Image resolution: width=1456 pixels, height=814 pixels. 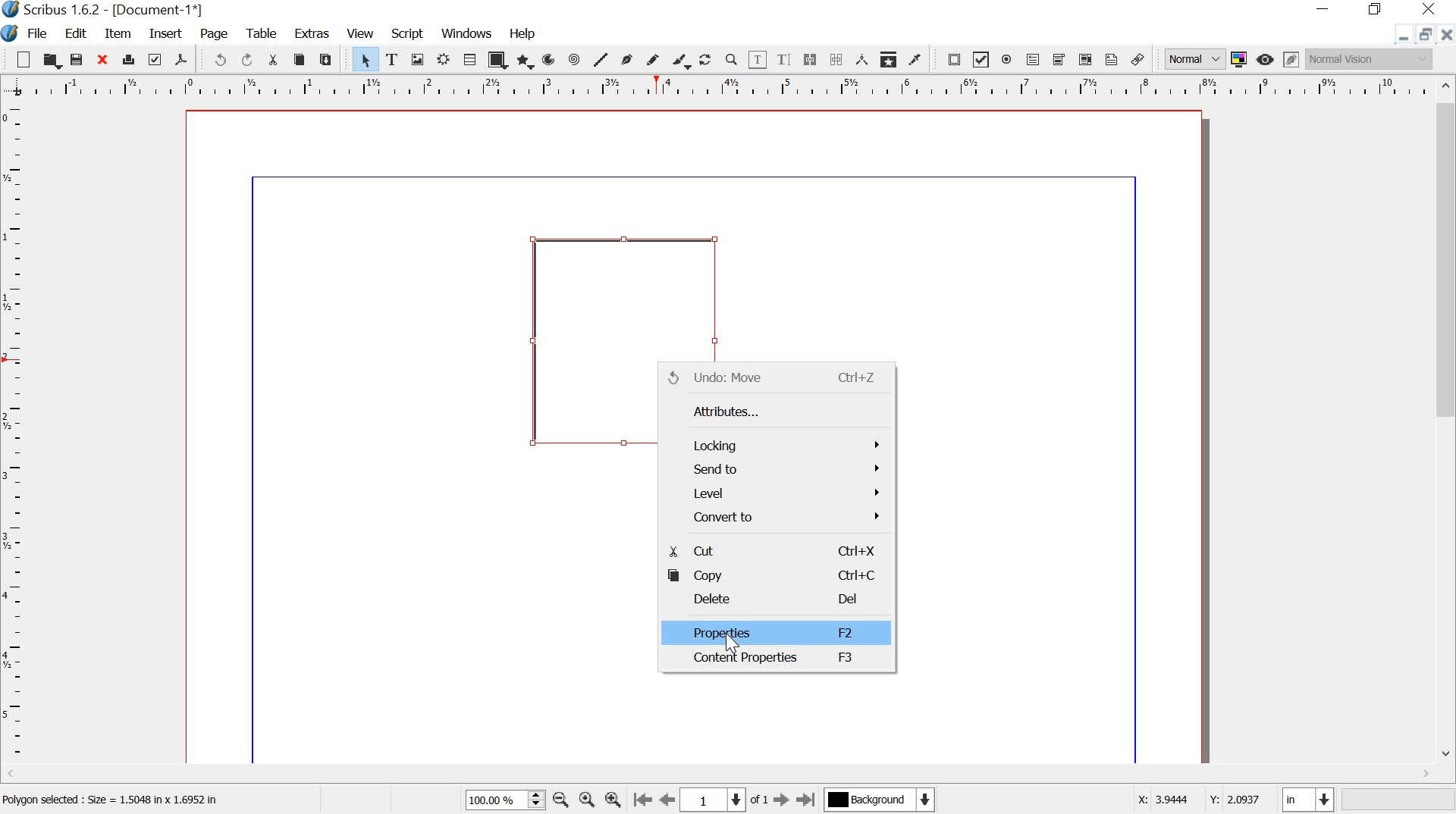 I want to click on link annotation, so click(x=1137, y=60).